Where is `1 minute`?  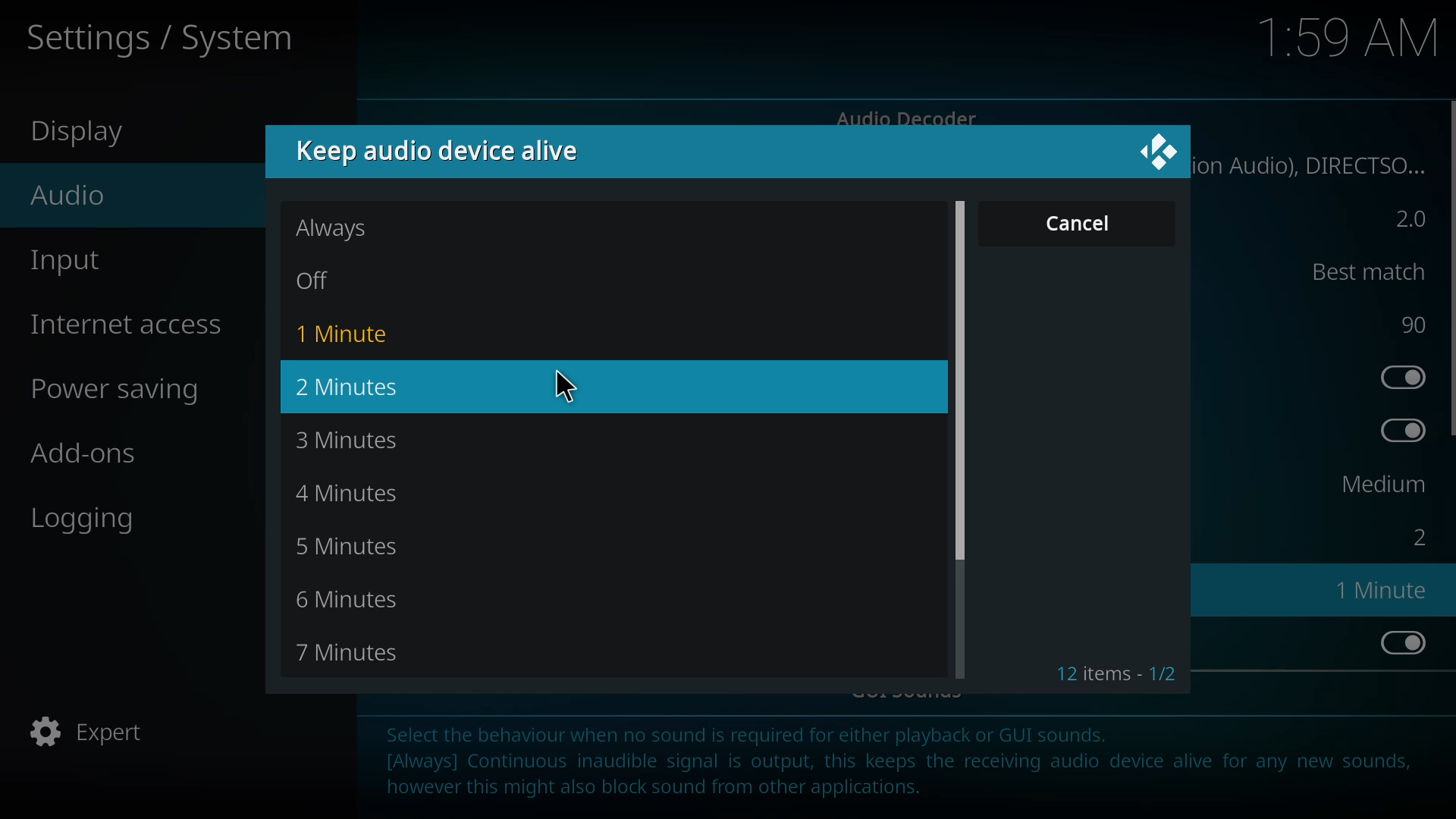 1 minute is located at coordinates (349, 333).